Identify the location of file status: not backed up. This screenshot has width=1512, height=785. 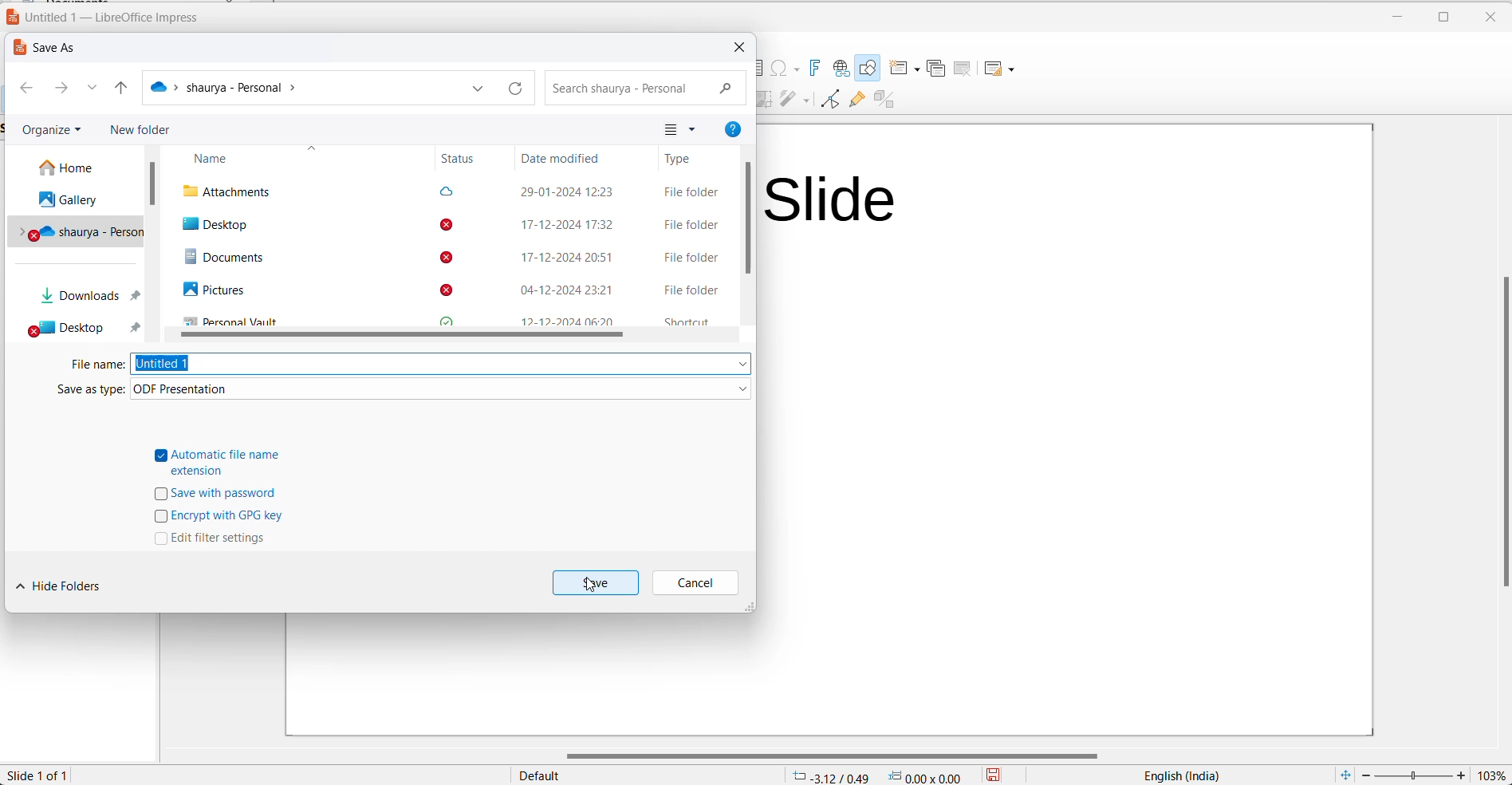
(446, 289).